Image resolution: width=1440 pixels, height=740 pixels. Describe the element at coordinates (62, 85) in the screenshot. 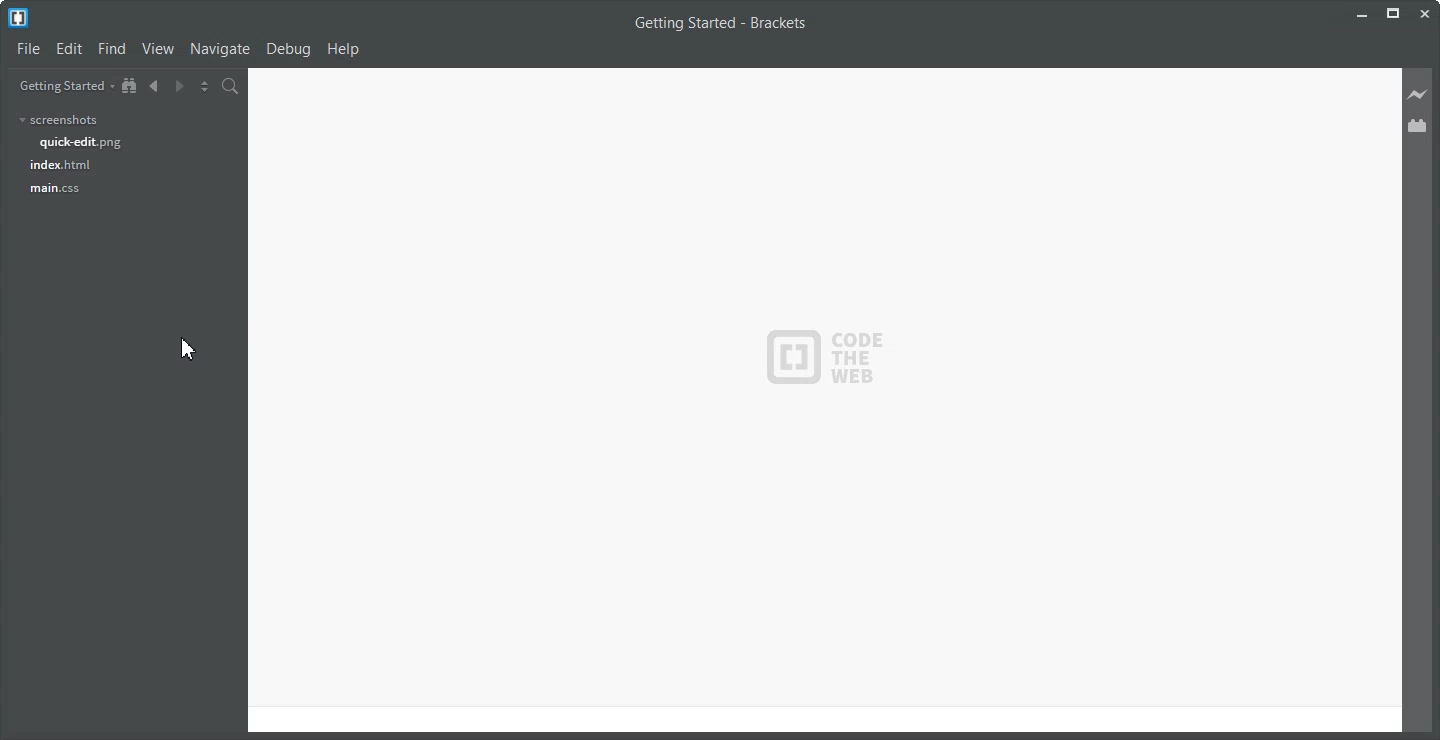

I see `Getting Started` at that location.